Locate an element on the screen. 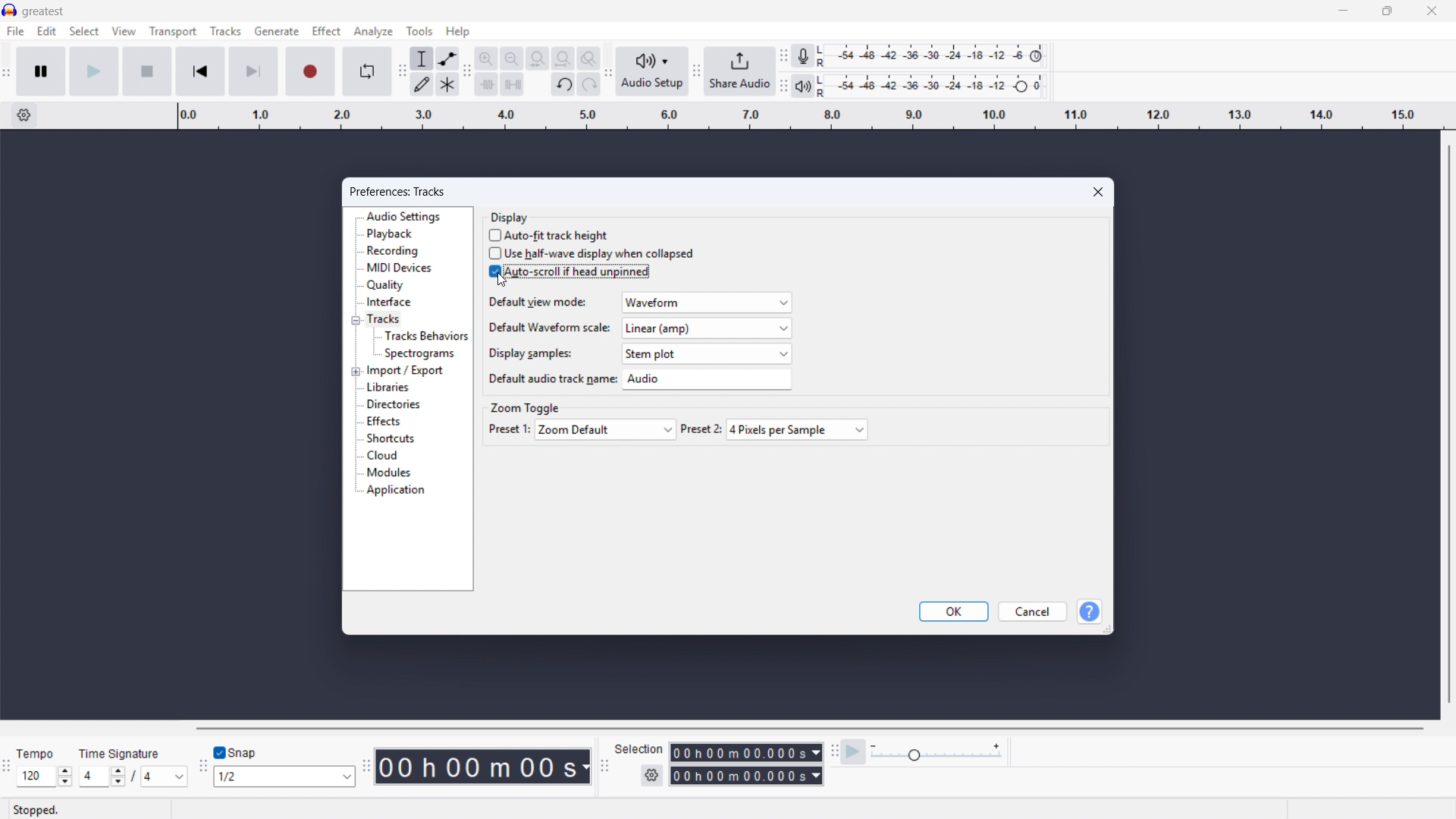 Image resolution: width=1456 pixels, height=819 pixels. Close preferences  is located at coordinates (1099, 193).